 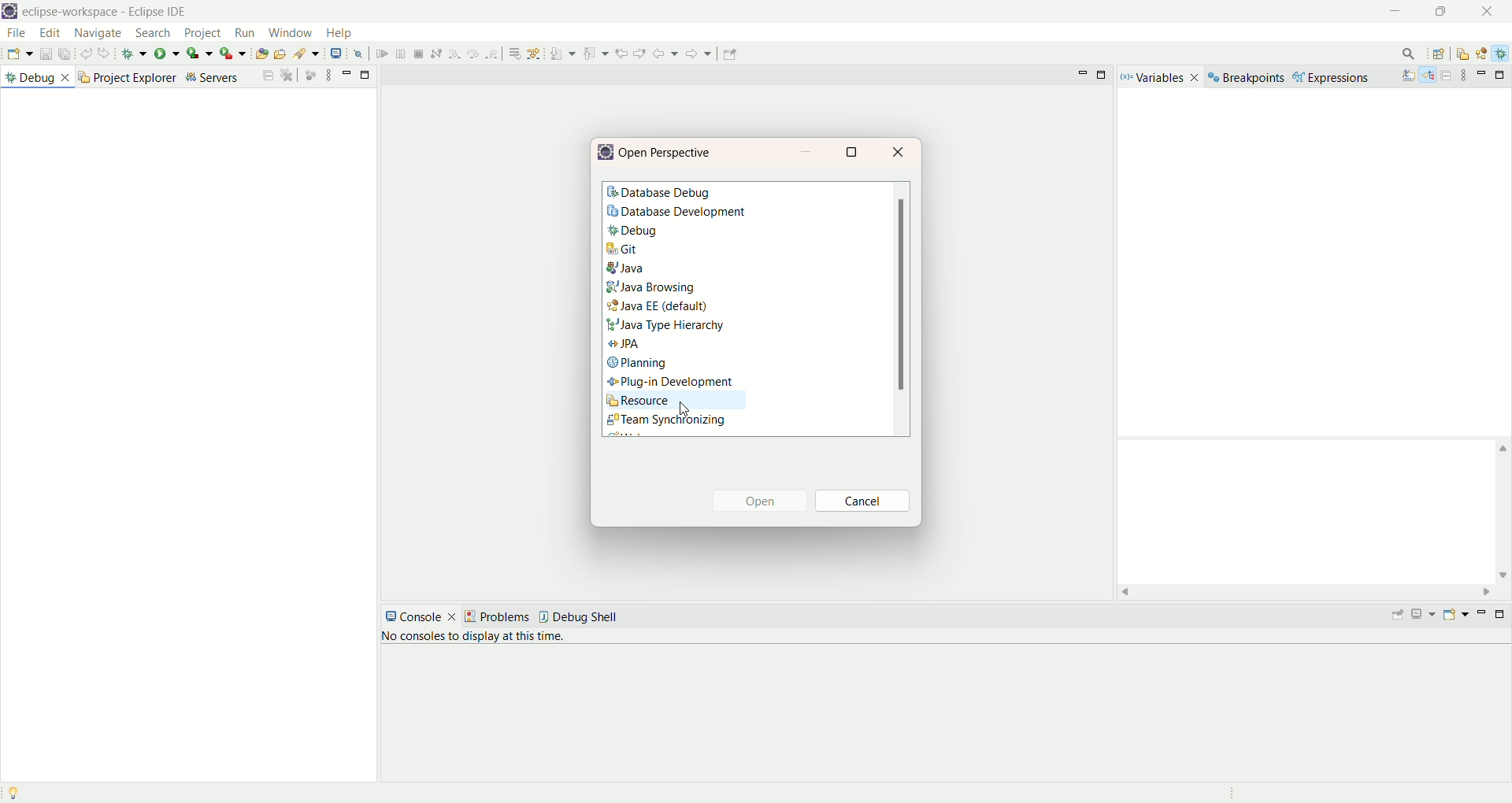 What do you see at coordinates (154, 32) in the screenshot?
I see `search` at bounding box center [154, 32].